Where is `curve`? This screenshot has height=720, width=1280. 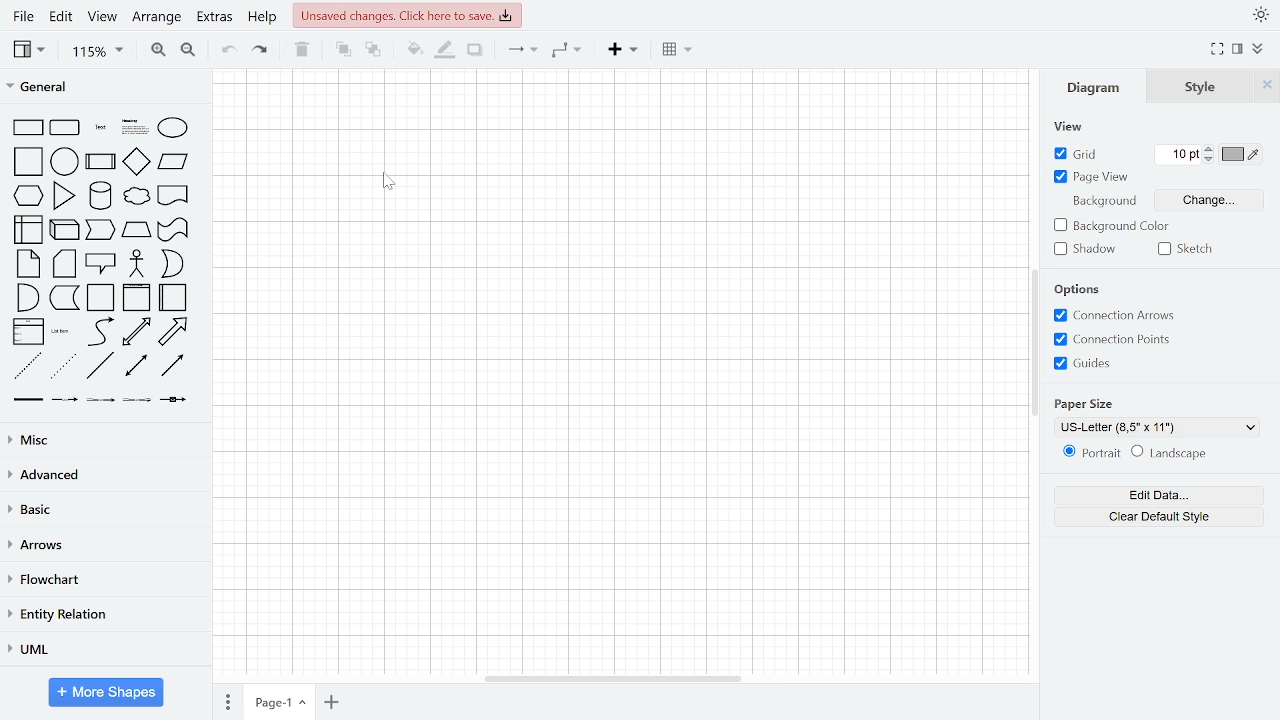
curve is located at coordinates (100, 332).